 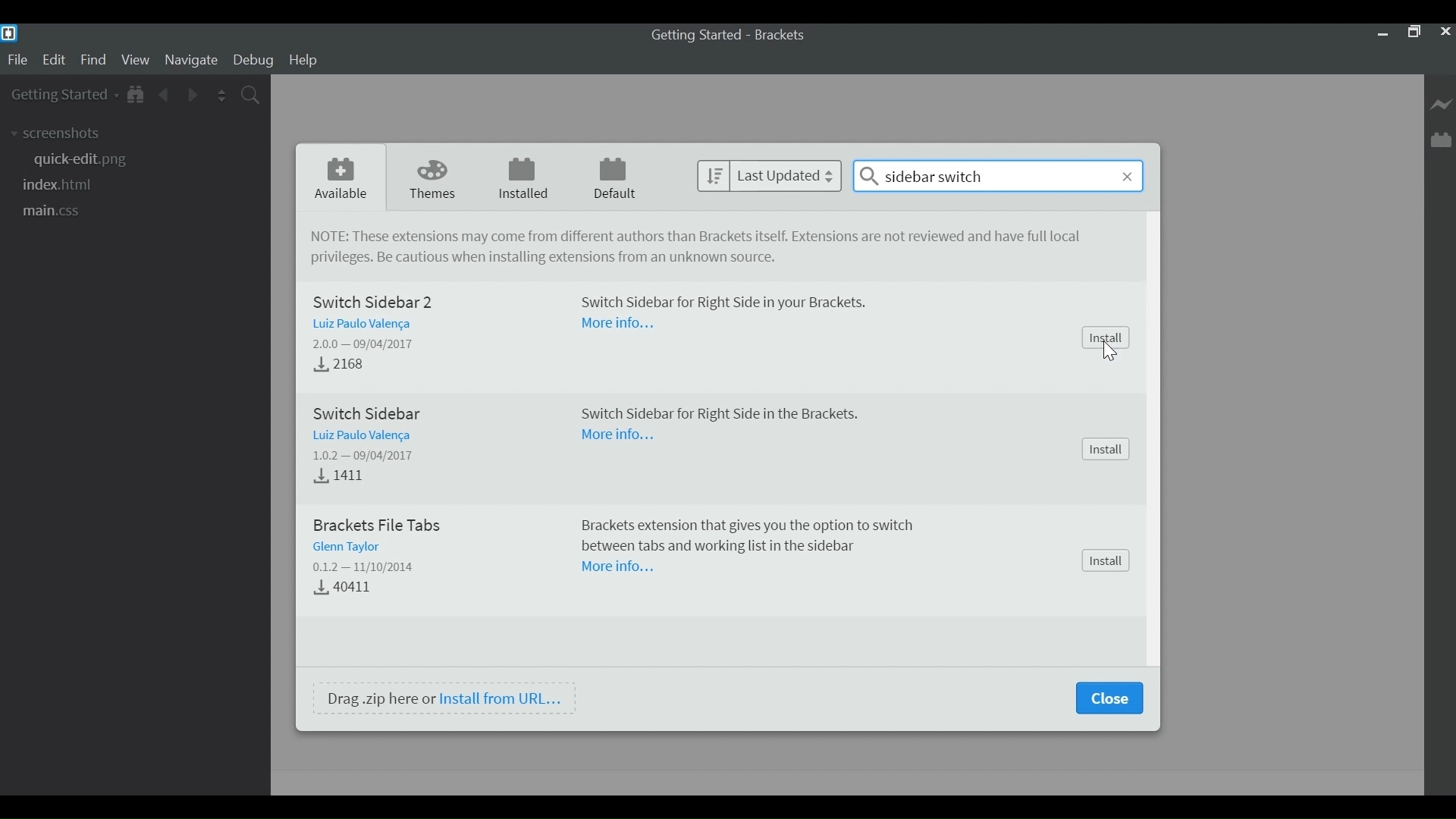 I want to click on Luiz Paulo Valenca, so click(x=366, y=438).